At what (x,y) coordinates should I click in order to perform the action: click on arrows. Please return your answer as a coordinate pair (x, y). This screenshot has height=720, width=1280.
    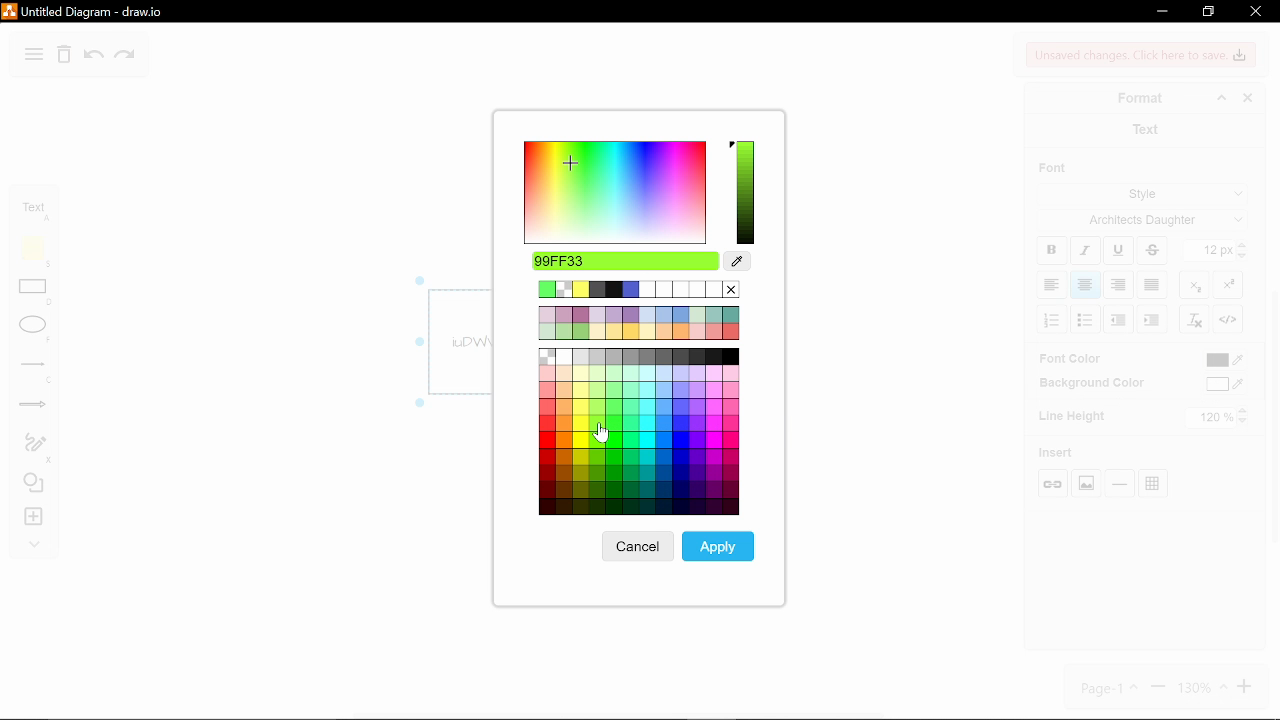
    Looking at the image, I should click on (27, 404).